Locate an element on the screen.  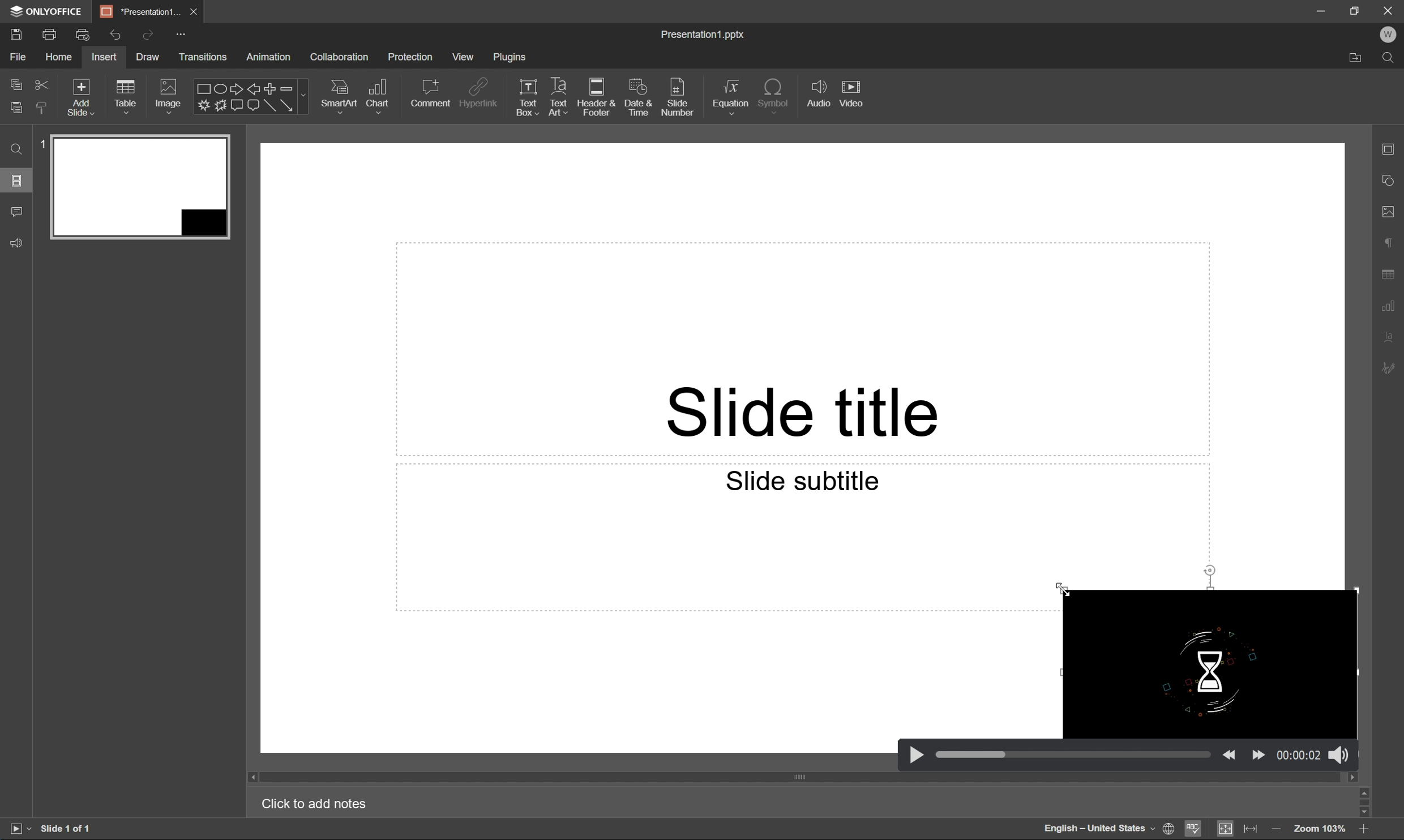
scroll bar is located at coordinates (805, 778).